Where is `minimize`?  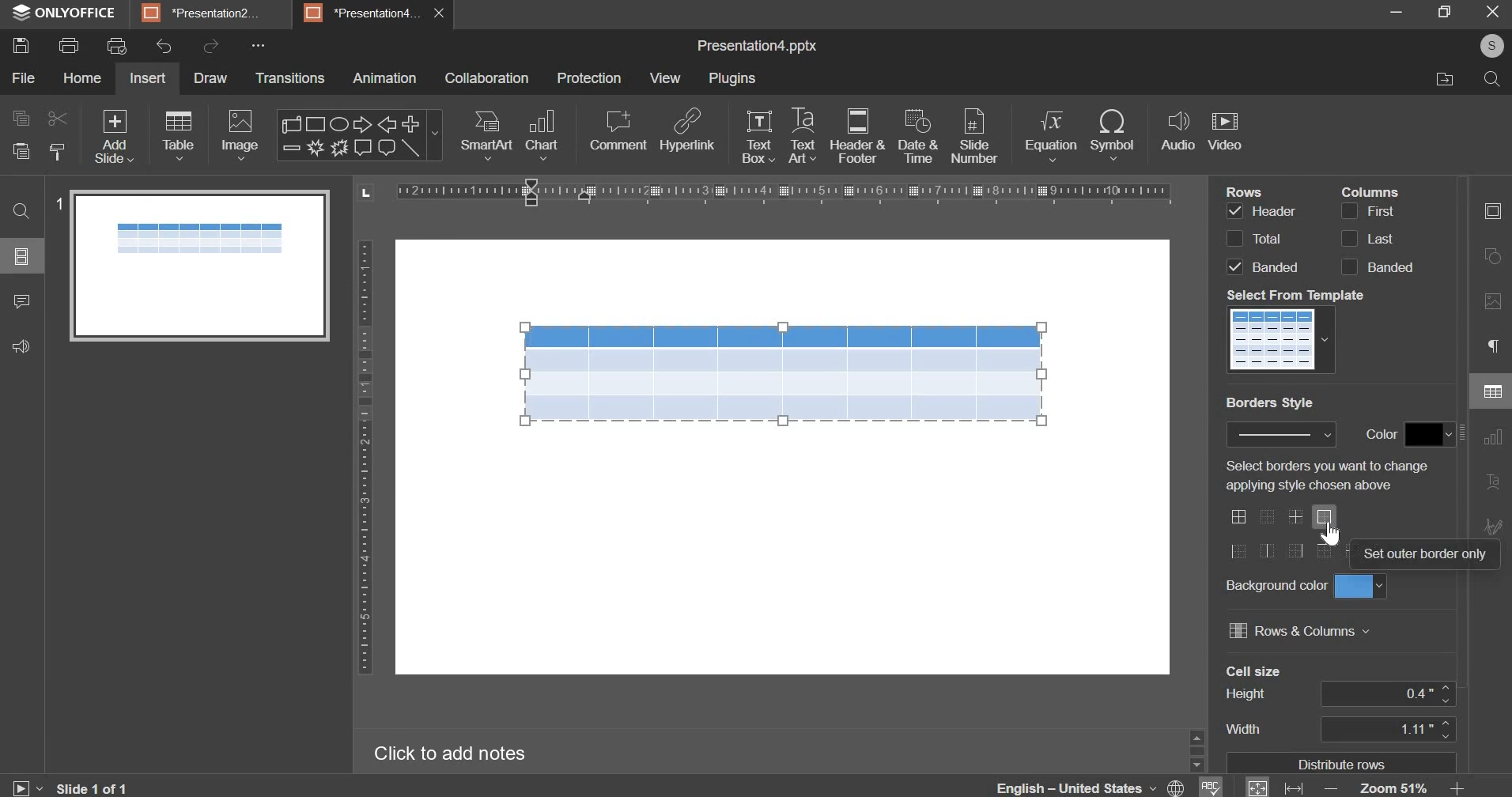
minimize is located at coordinates (1400, 14).